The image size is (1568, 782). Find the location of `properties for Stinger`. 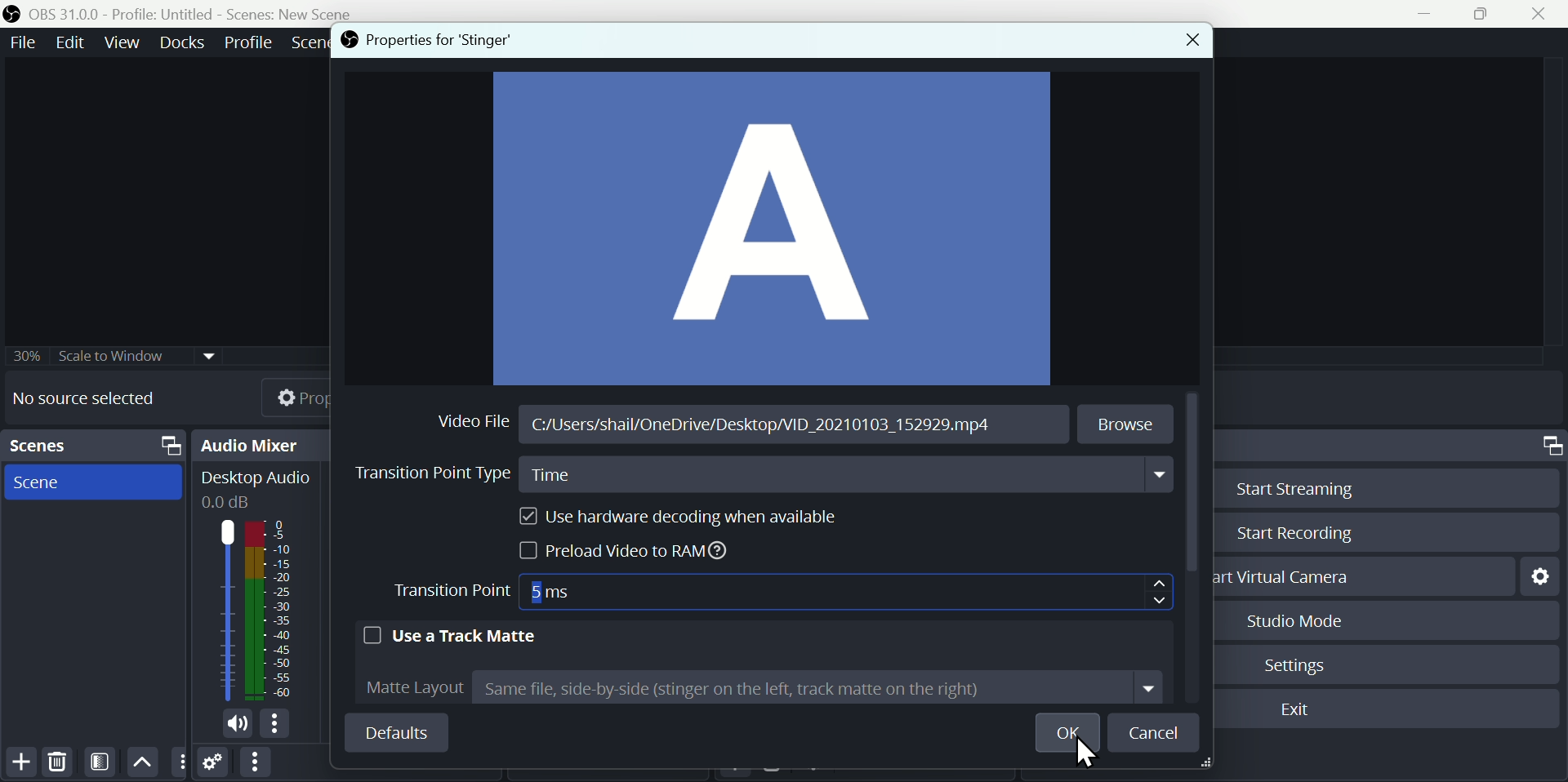

properties for Stinger is located at coordinates (424, 41).